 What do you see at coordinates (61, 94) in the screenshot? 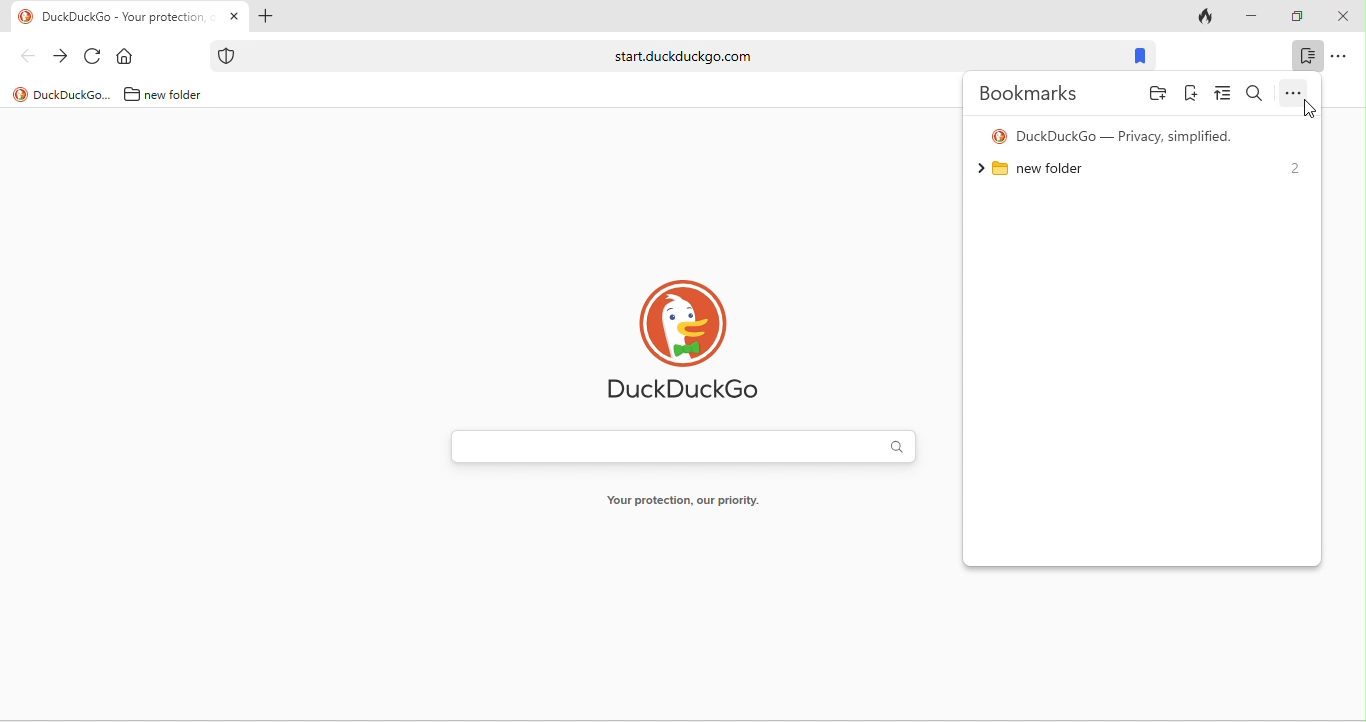
I see `duckduckgo ` at bounding box center [61, 94].